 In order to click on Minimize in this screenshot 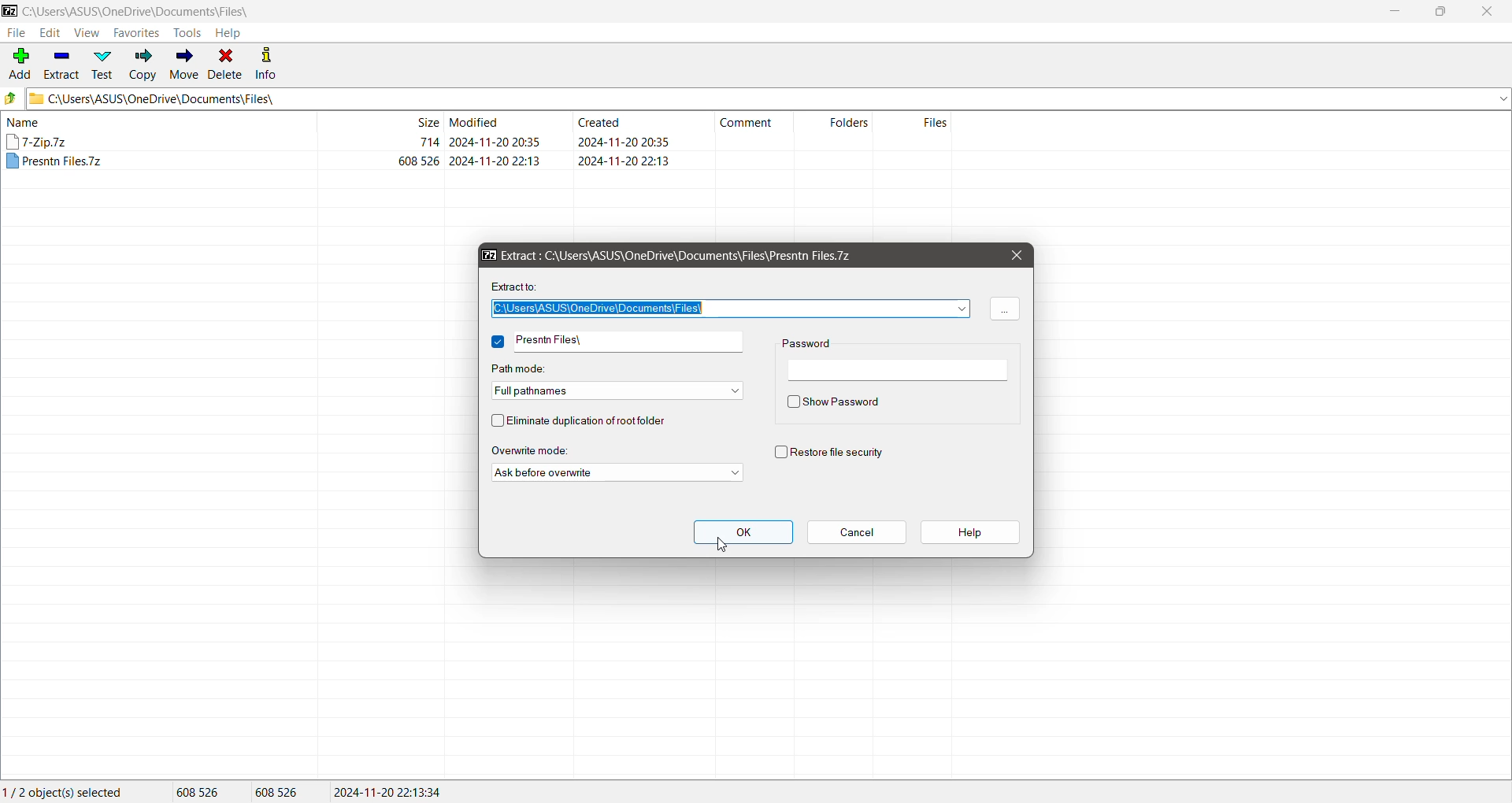, I will do `click(1399, 12)`.